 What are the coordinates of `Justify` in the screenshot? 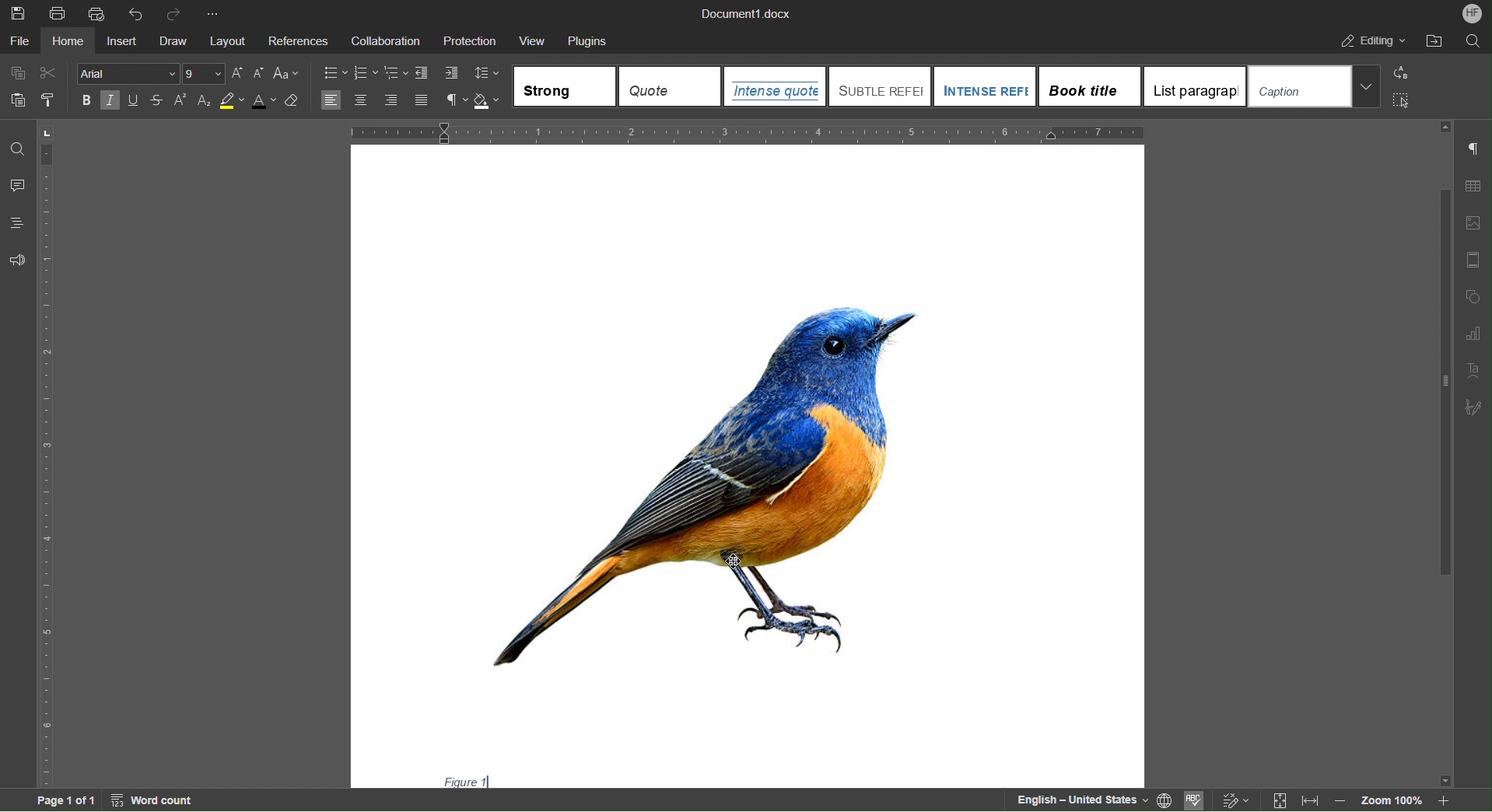 It's located at (421, 100).